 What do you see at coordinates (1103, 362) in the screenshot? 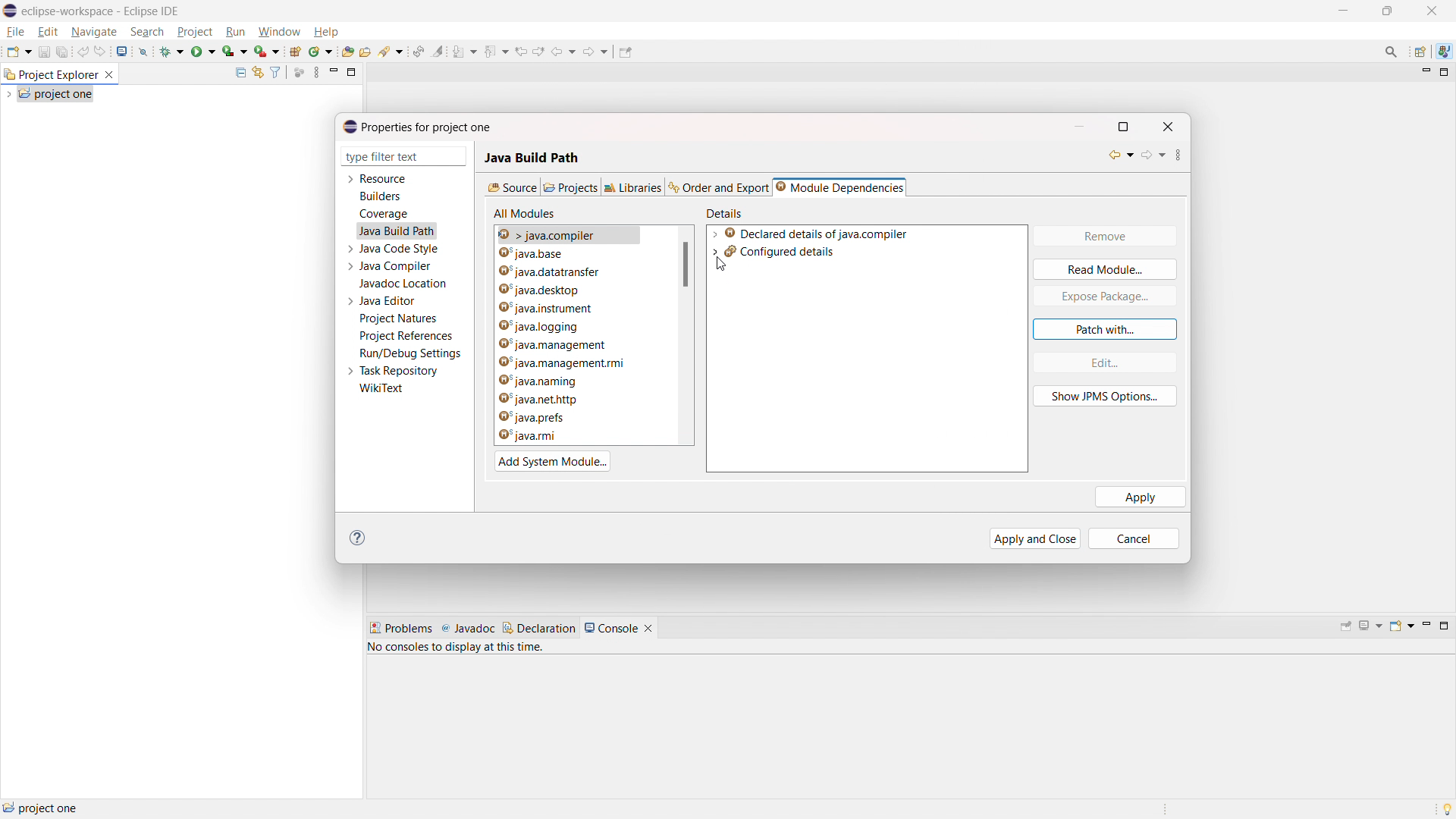
I see `edit` at bounding box center [1103, 362].